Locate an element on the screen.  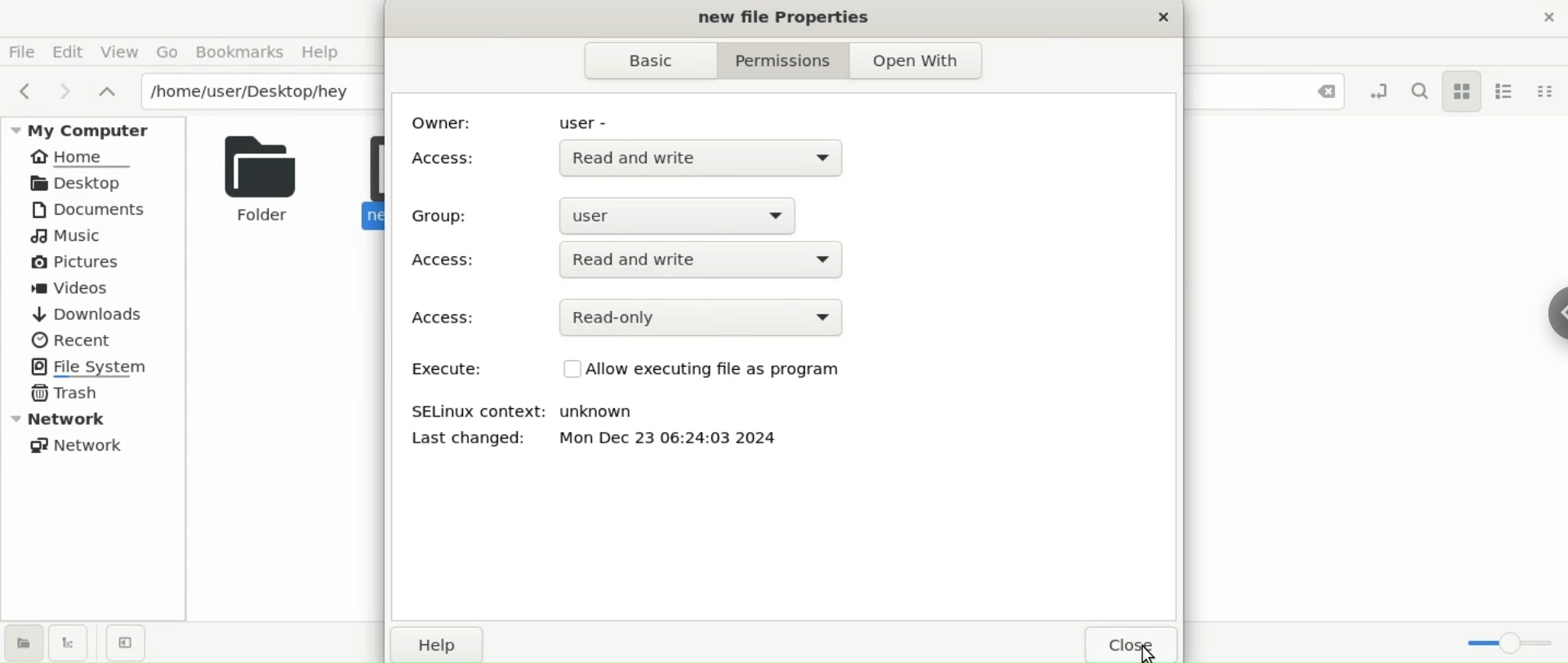
show treeview is located at coordinates (69, 642).